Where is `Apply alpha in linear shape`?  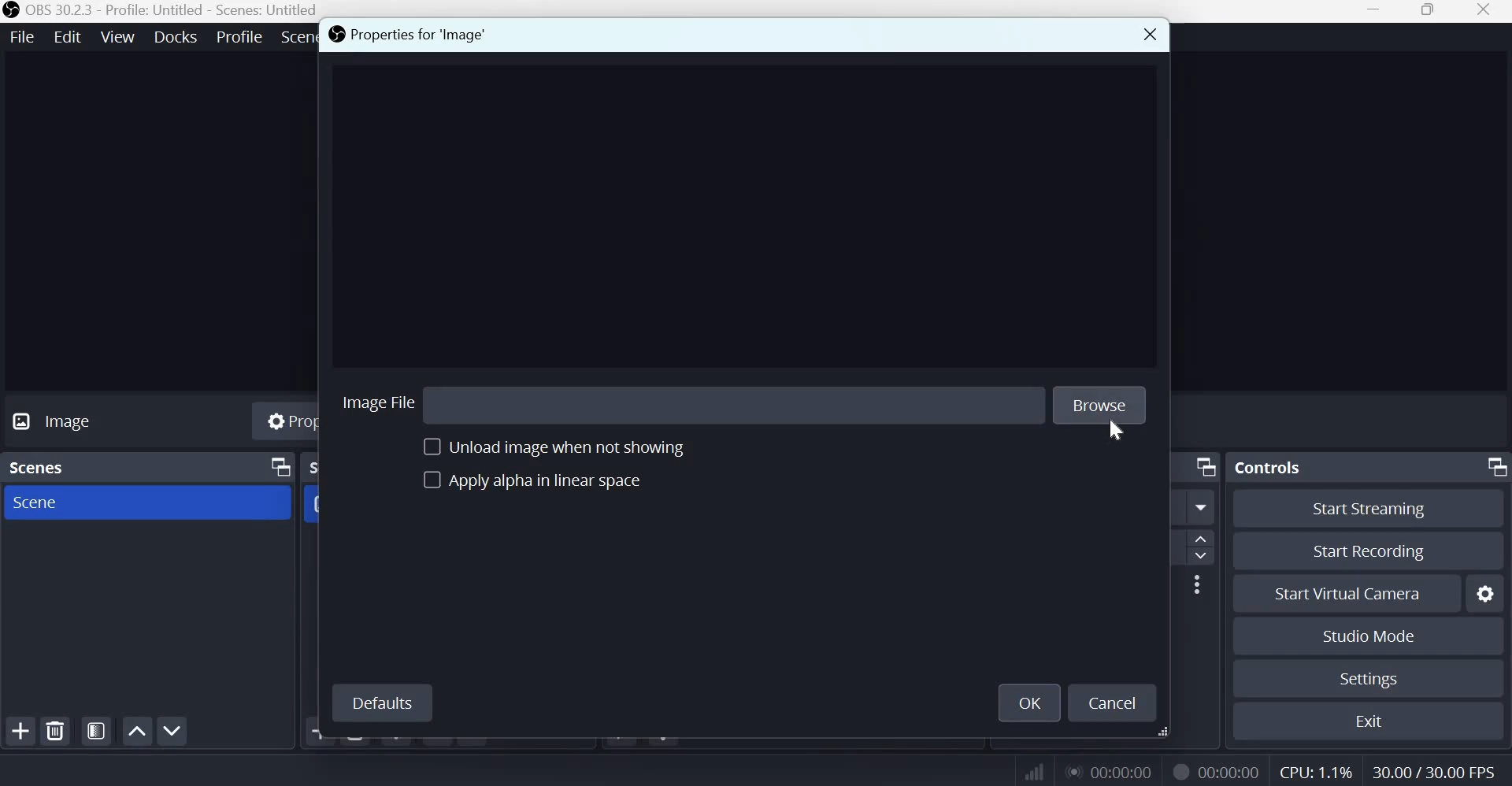 Apply alpha in linear shape is located at coordinates (536, 481).